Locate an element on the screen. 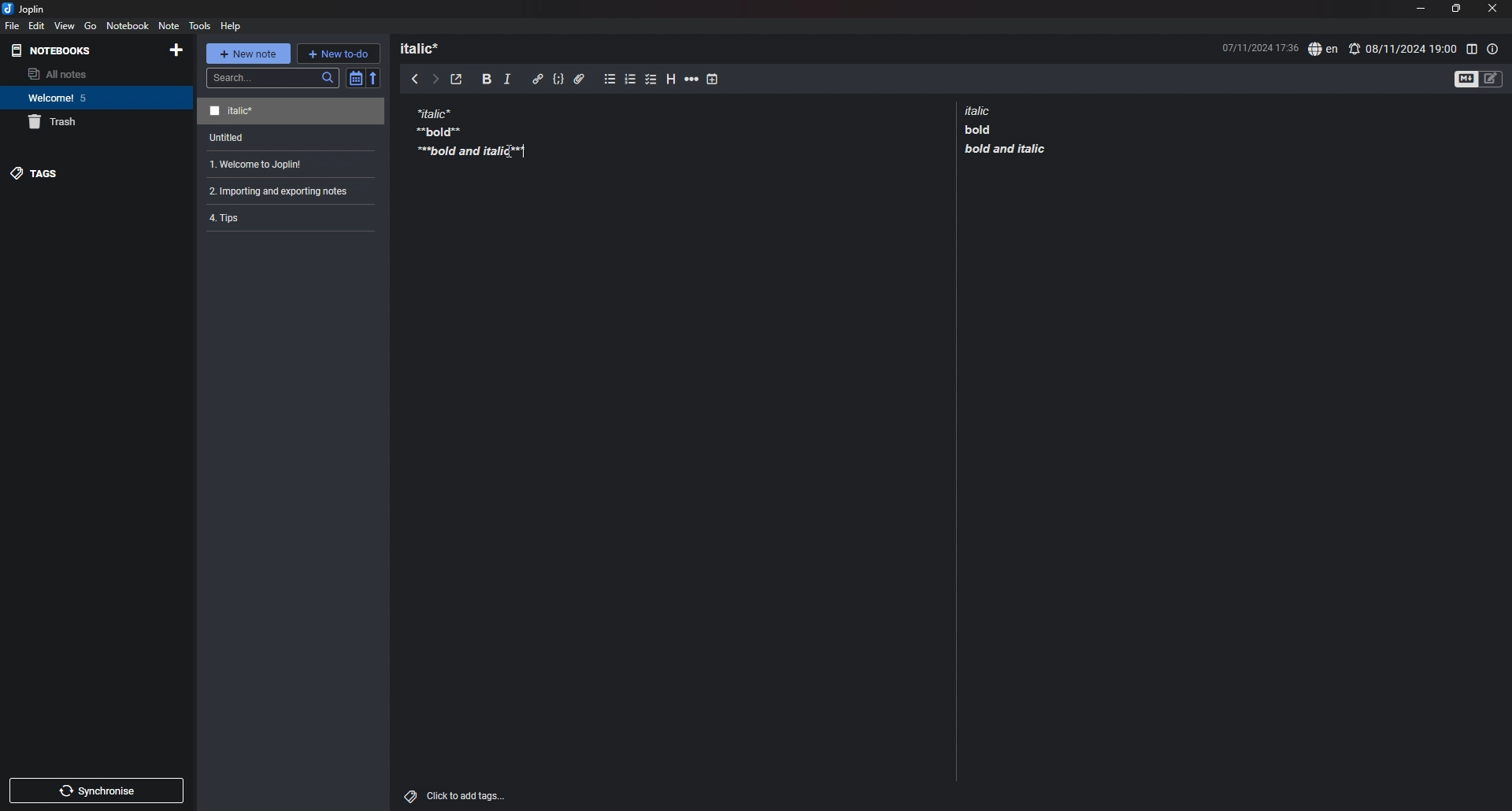 The image size is (1512, 811). toggle editor layout is located at coordinates (1471, 49).